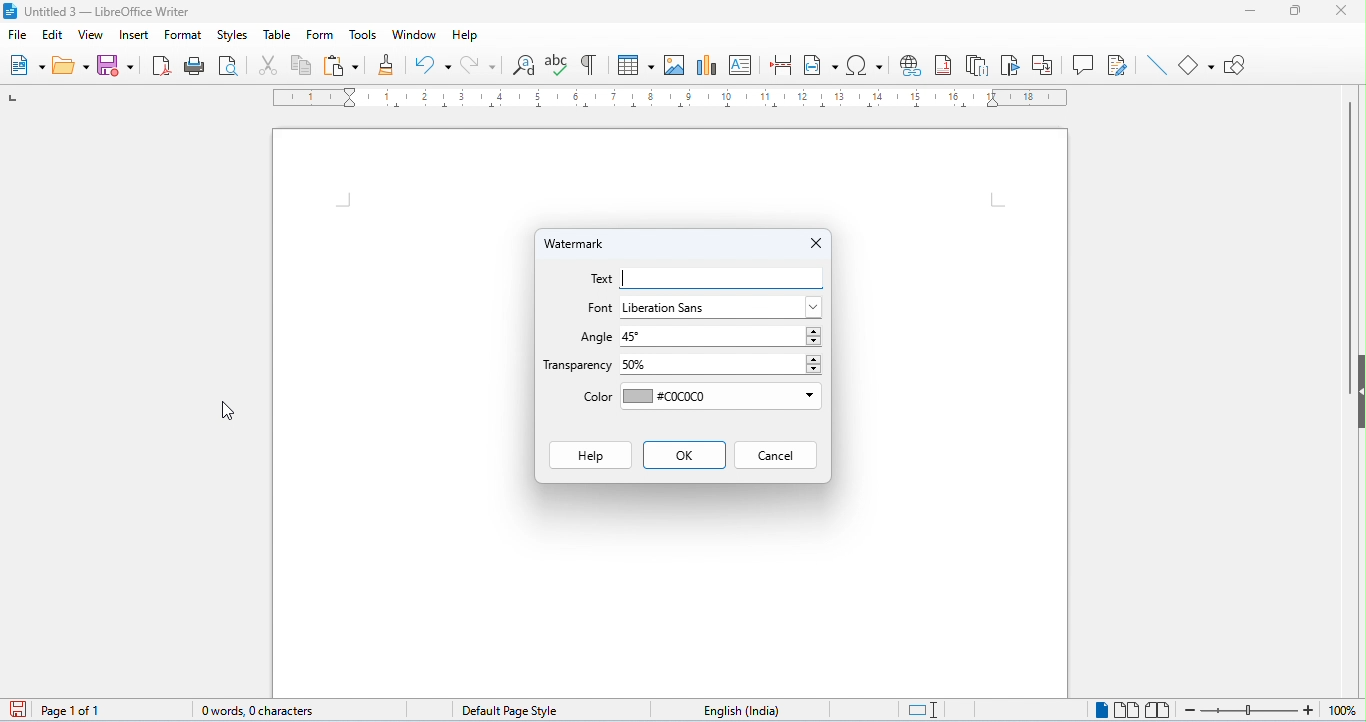  I want to click on water mark, so click(583, 245).